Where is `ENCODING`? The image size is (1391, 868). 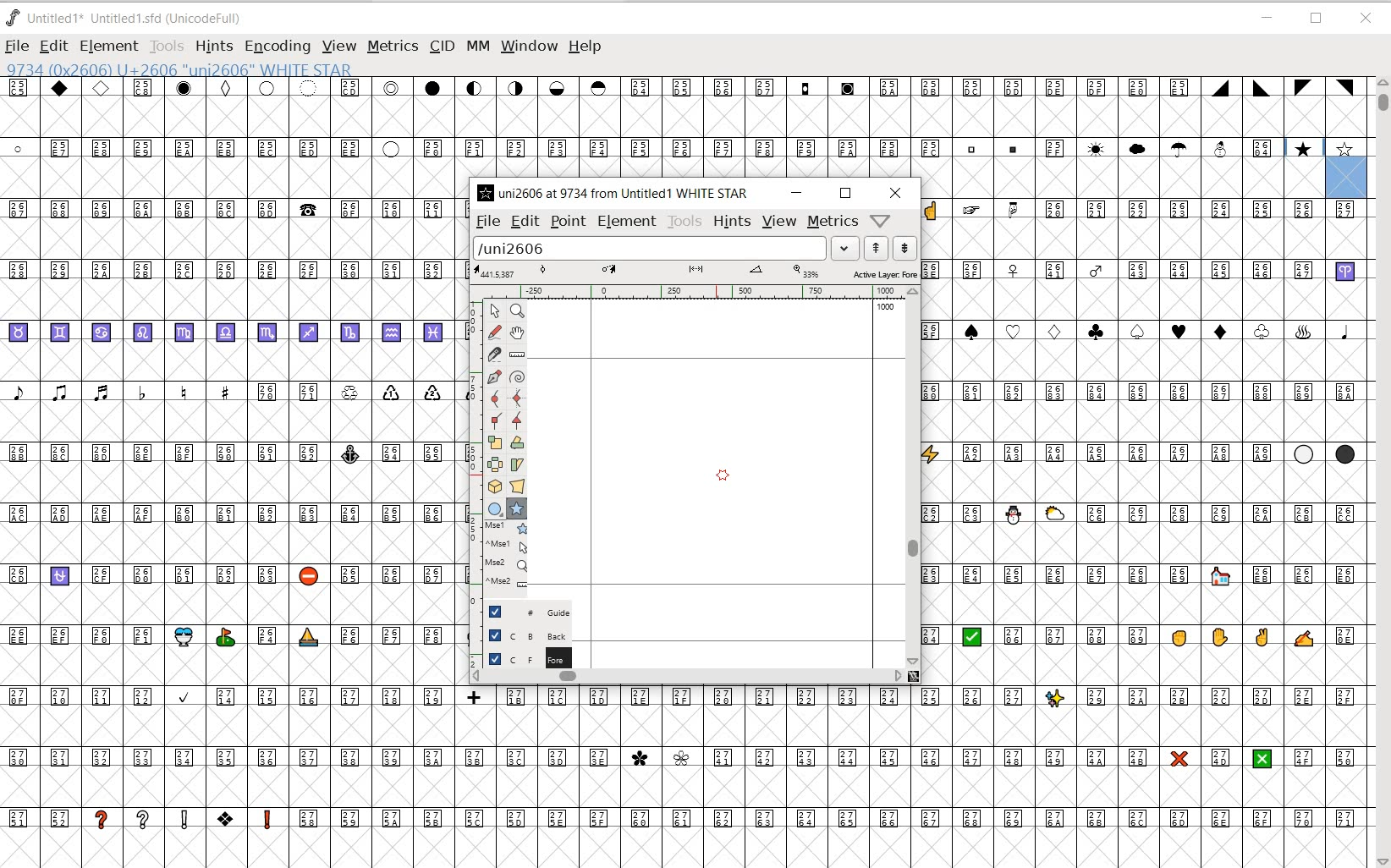
ENCODING is located at coordinates (276, 47).